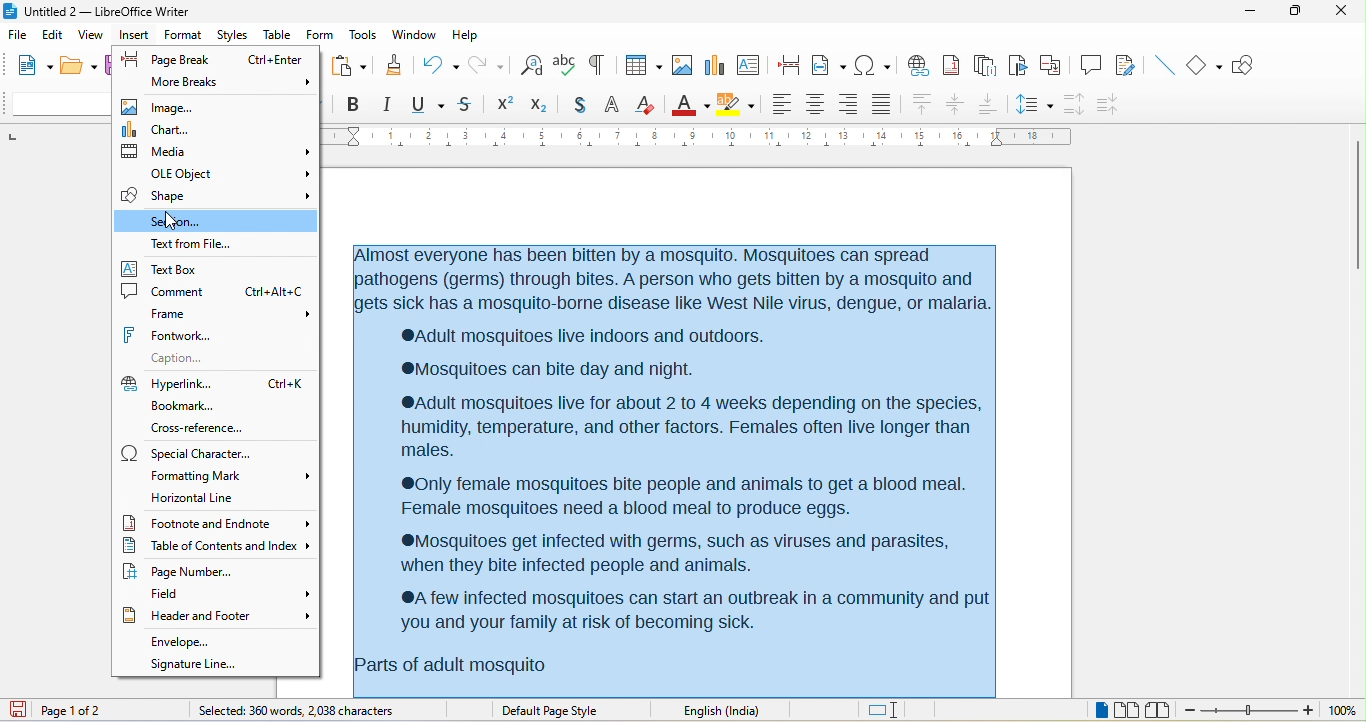  What do you see at coordinates (1158, 710) in the screenshot?
I see `book view` at bounding box center [1158, 710].